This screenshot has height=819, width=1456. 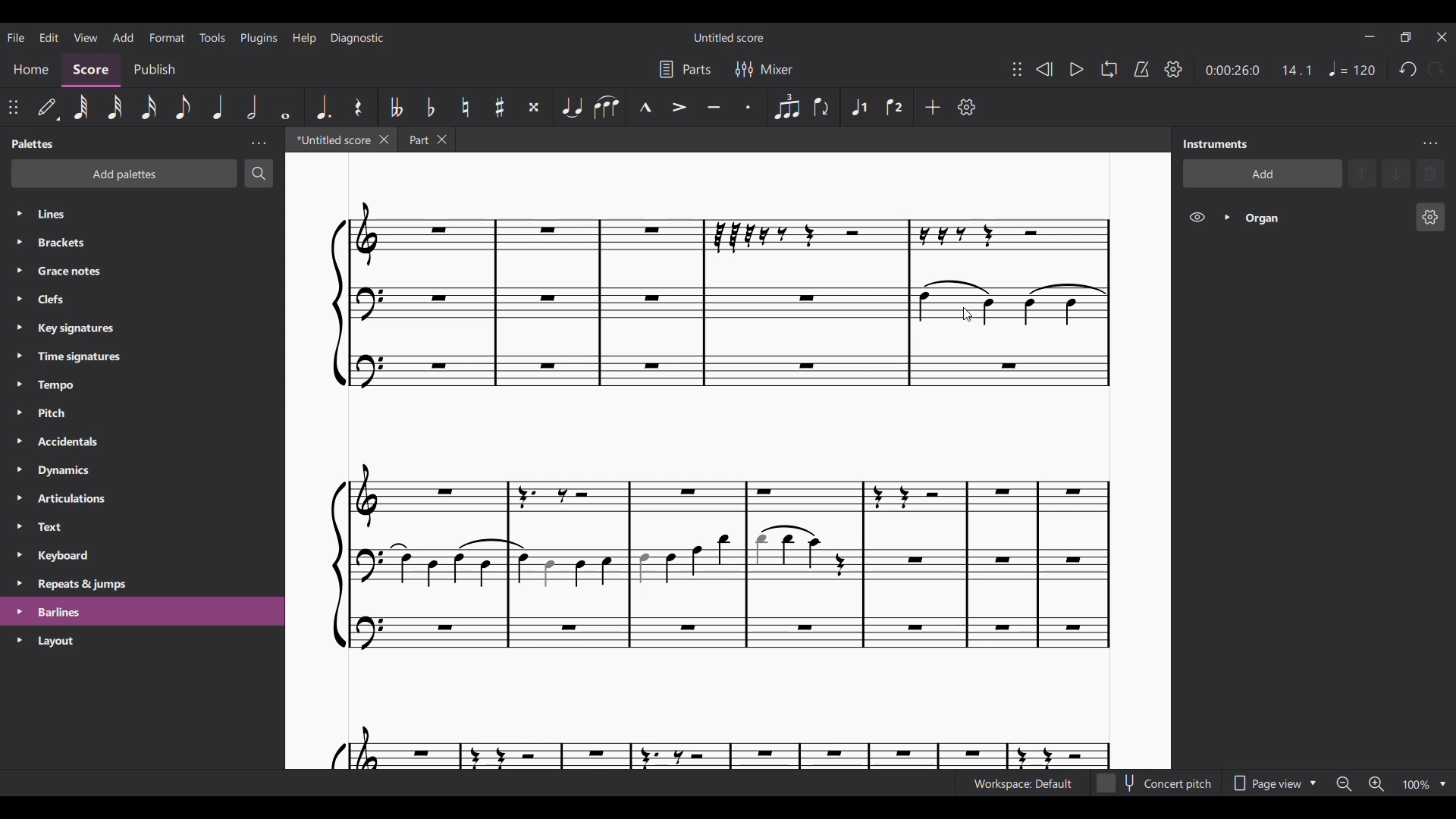 What do you see at coordinates (1173, 68) in the screenshot?
I see `Playback settings` at bounding box center [1173, 68].